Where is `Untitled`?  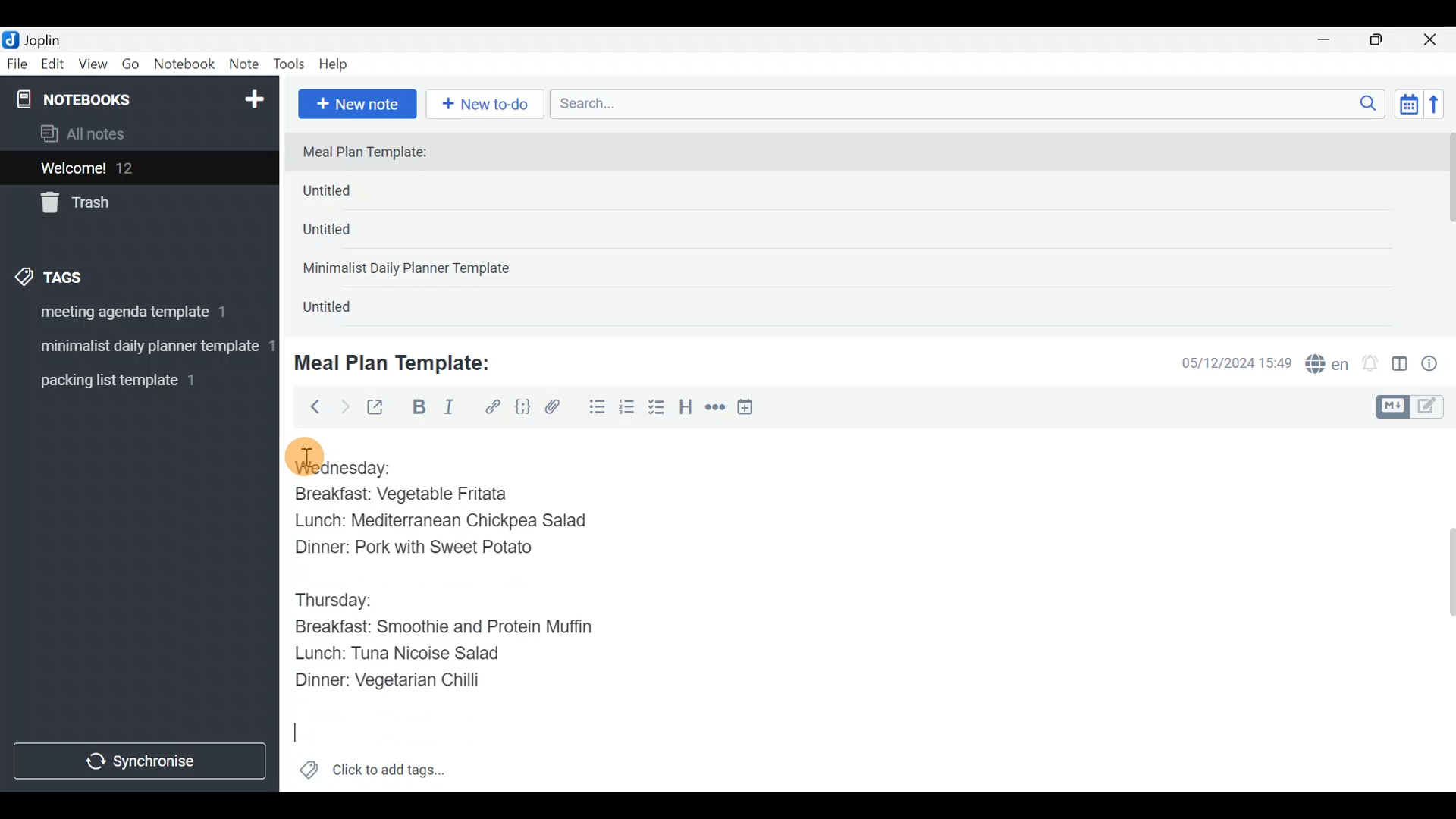 Untitled is located at coordinates (344, 310).